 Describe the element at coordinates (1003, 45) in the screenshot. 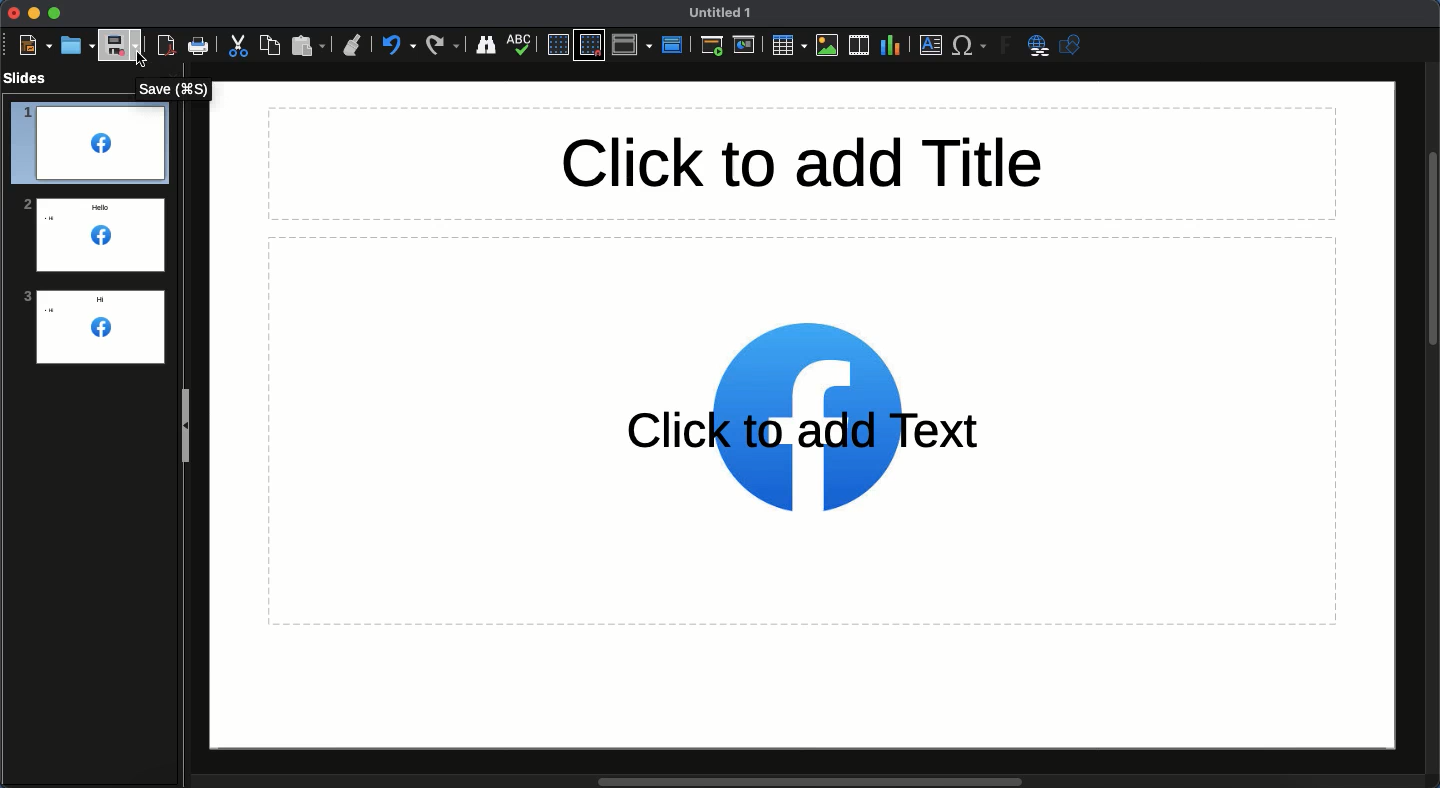

I see `Fontwork` at that location.